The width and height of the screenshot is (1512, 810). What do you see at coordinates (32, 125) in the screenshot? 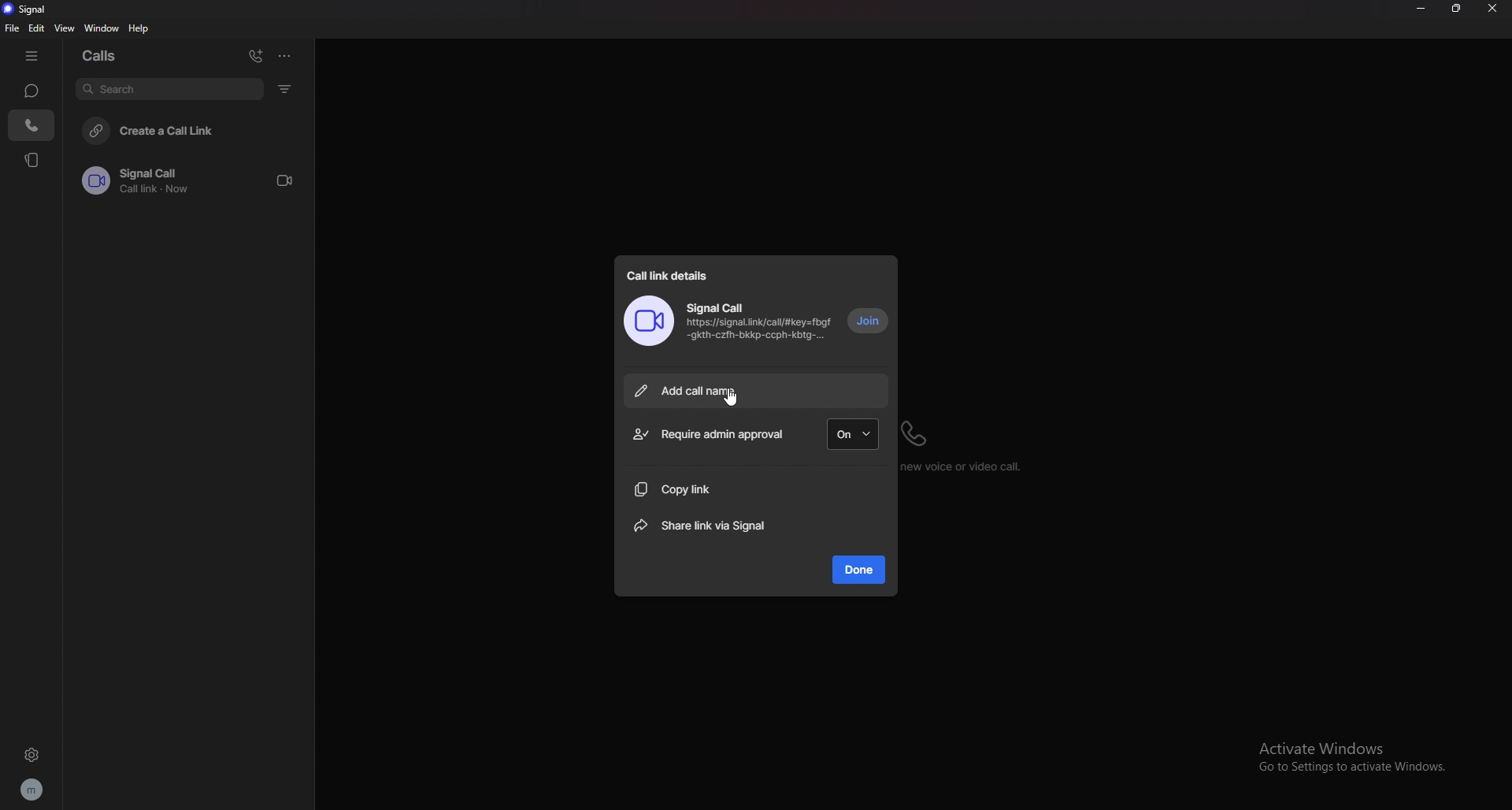
I see `calls` at bounding box center [32, 125].